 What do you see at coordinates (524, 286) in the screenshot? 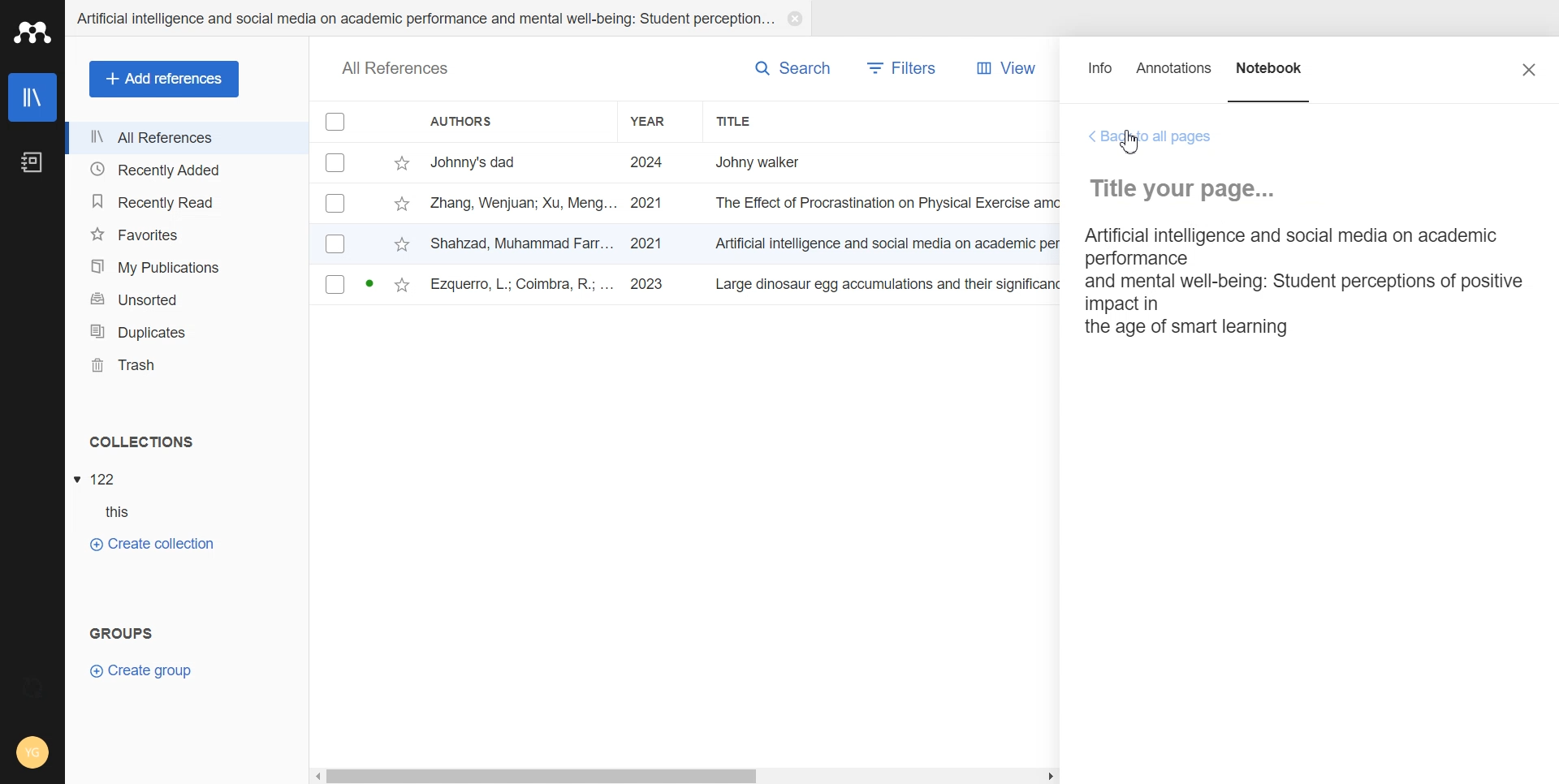
I see `ezquerro, l.; coimbra, r.; ...` at bounding box center [524, 286].